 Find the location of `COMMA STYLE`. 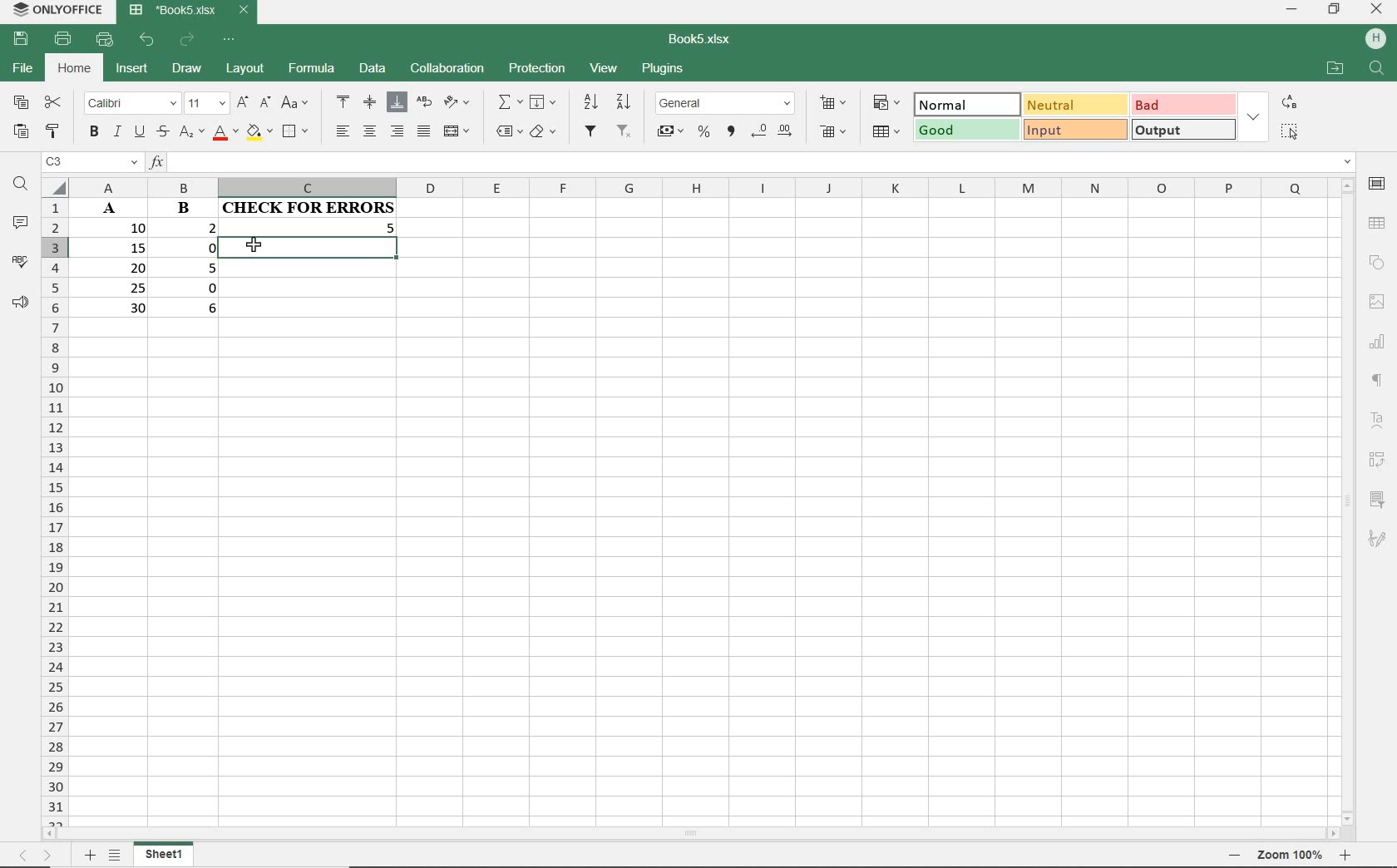

COMMA STYLE is located at coordinates (733, 133).